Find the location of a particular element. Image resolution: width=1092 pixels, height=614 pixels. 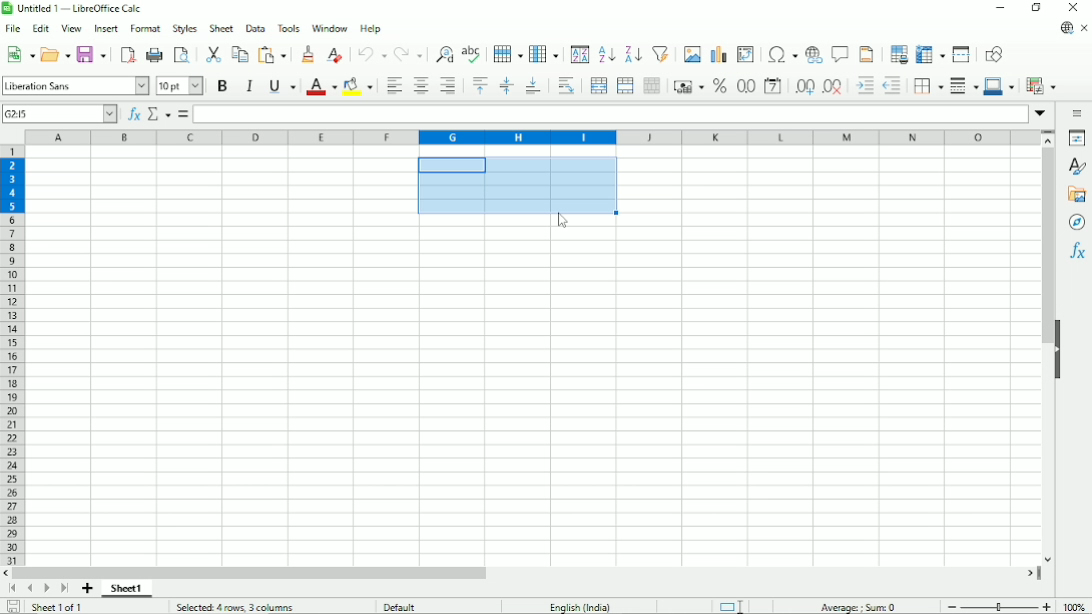

Align left is located at coordinates (394, 86).